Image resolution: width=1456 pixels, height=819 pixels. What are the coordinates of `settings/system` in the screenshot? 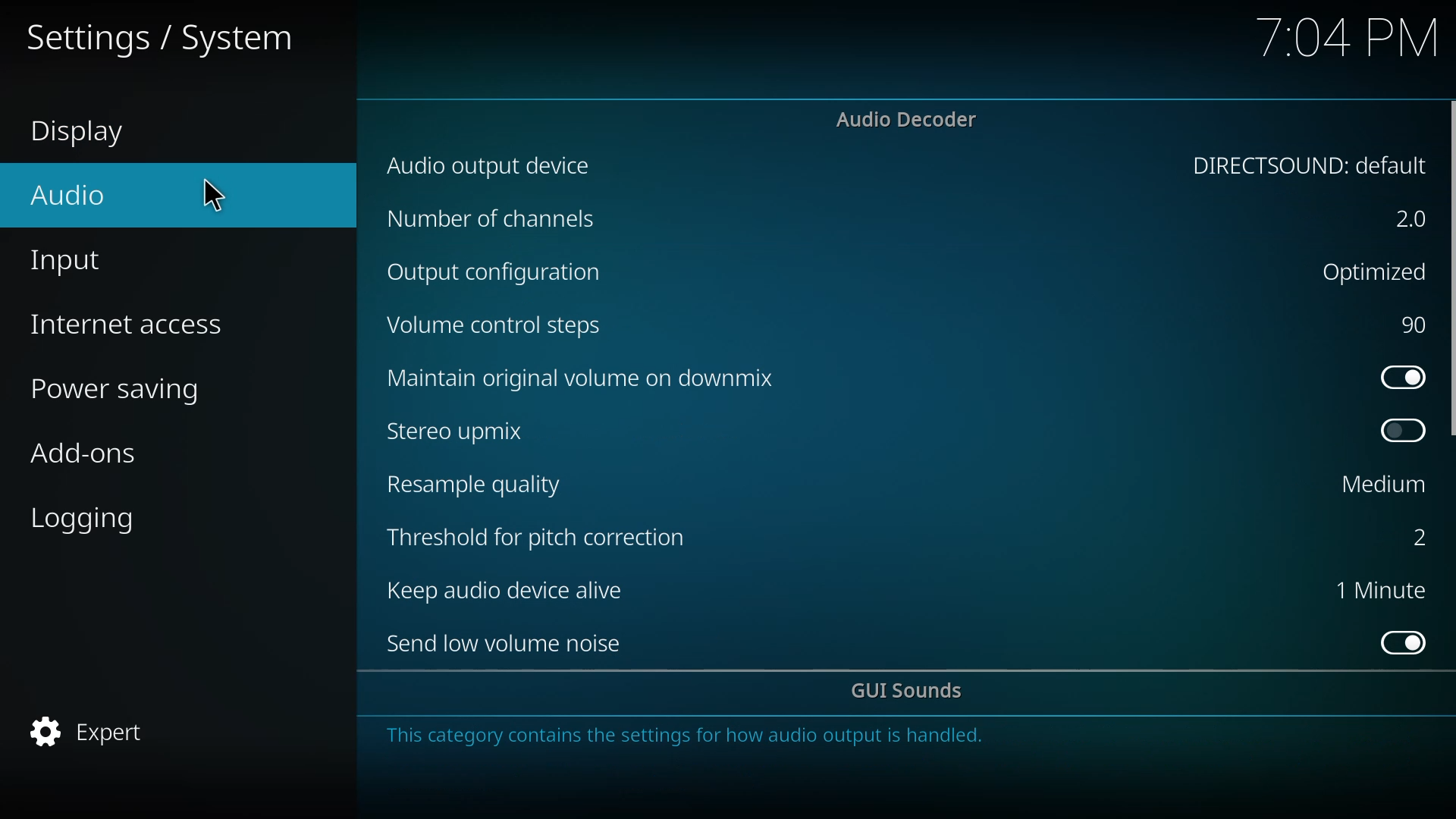 It's located at (156, 39).